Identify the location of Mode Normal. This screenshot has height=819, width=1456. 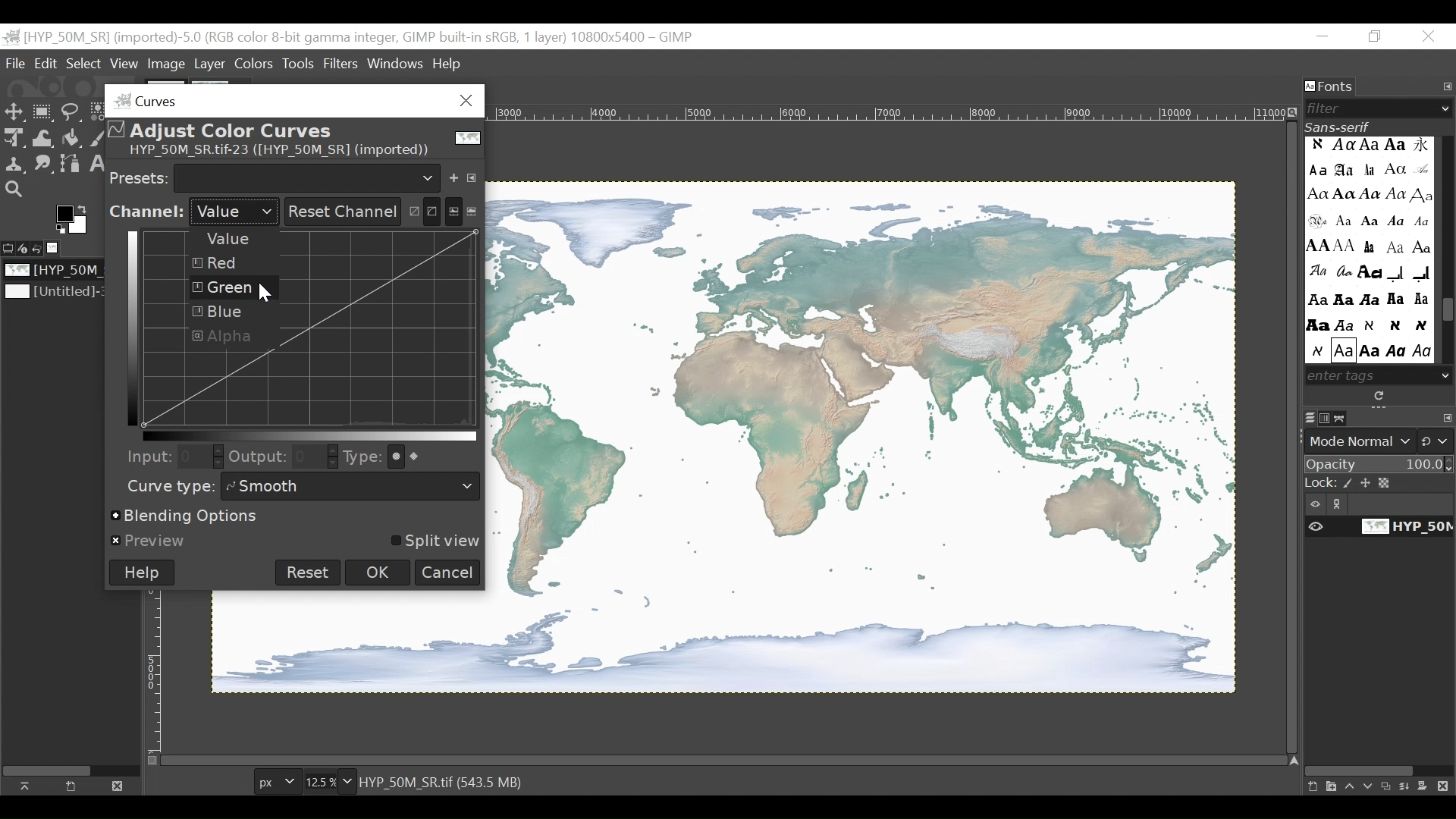
(1381, 441).